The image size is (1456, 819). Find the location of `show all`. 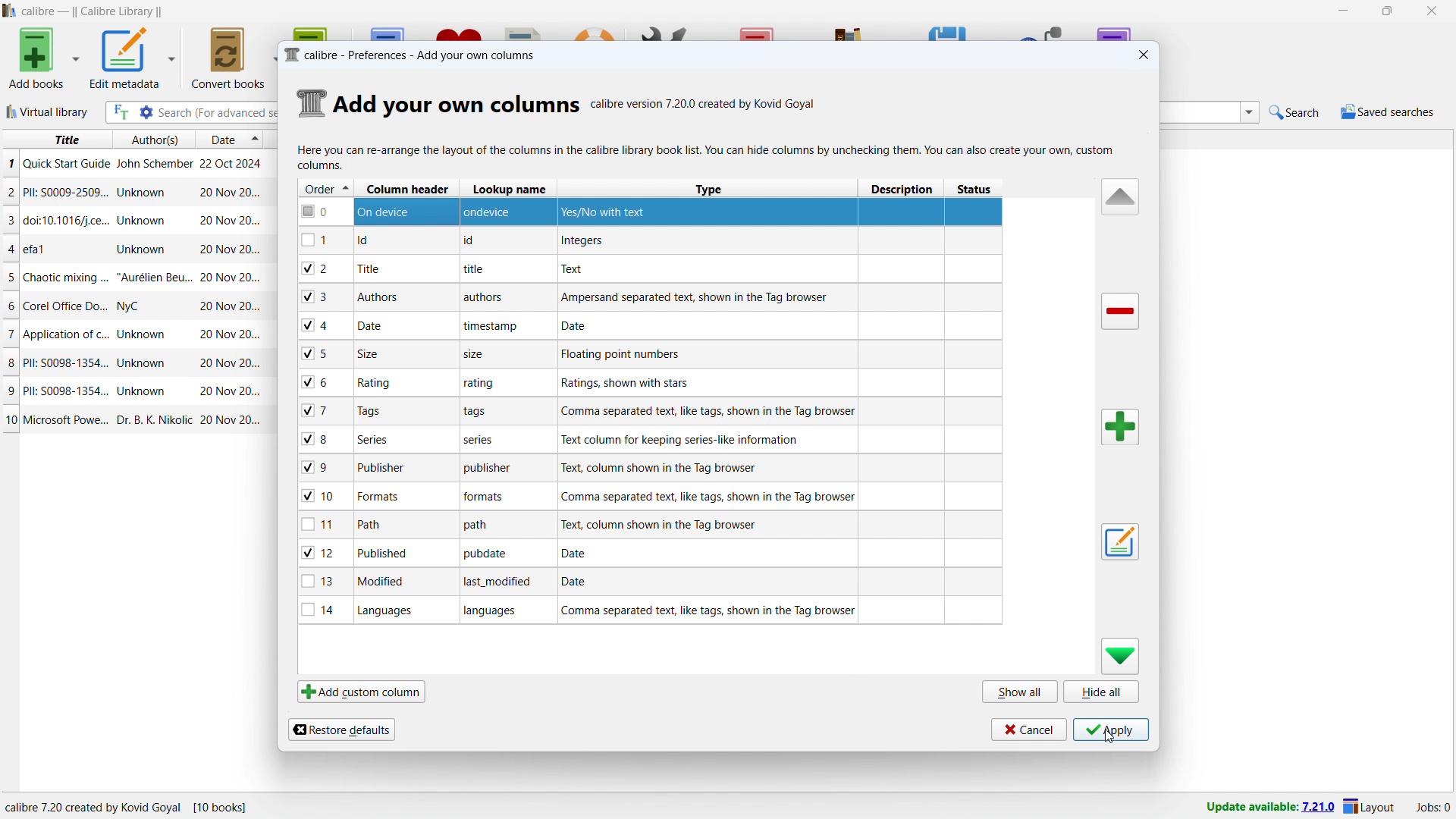

show all is located at coordinates (1019, 691).